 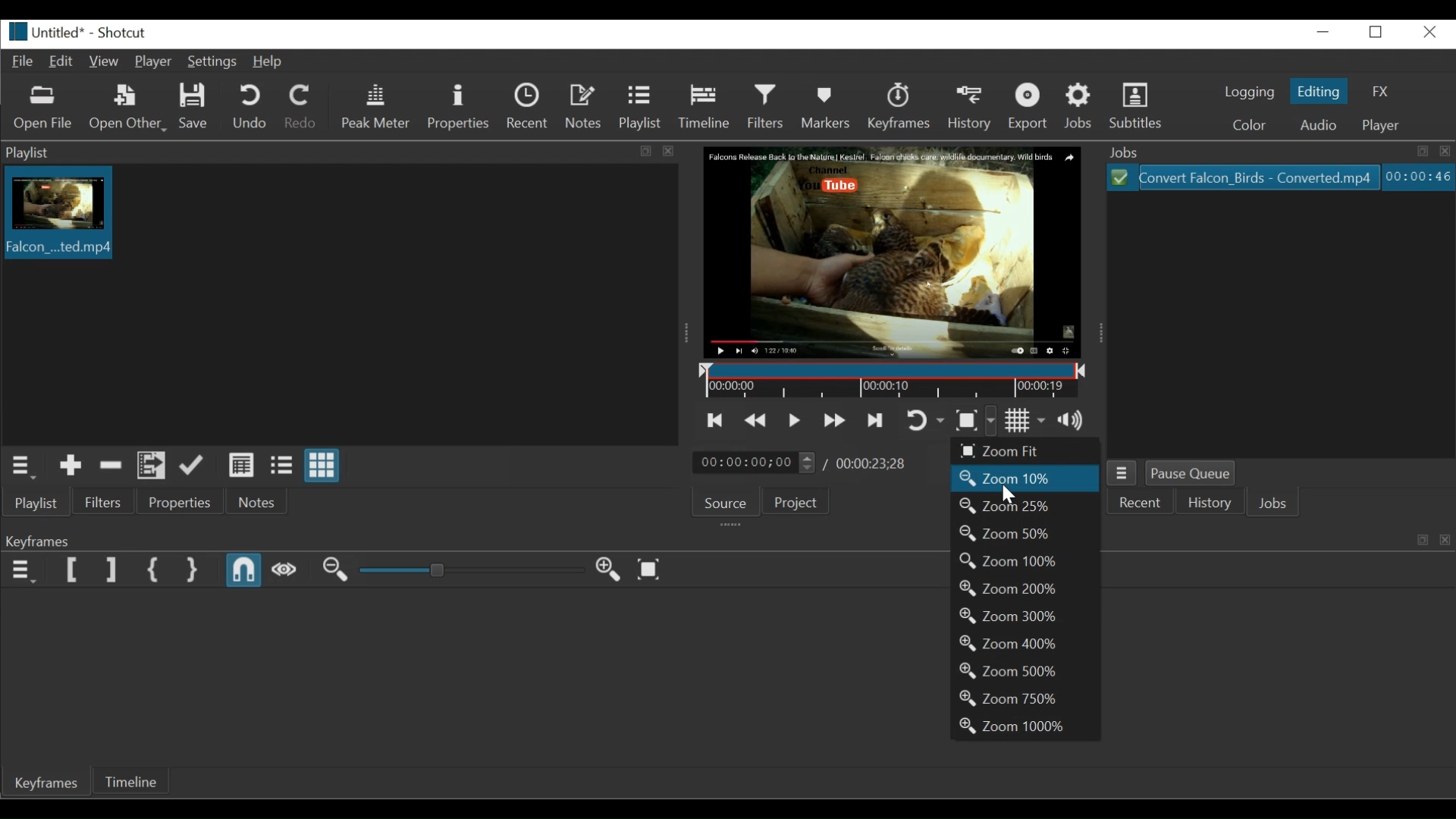 I want to click on View, so click(x=105, y=62).